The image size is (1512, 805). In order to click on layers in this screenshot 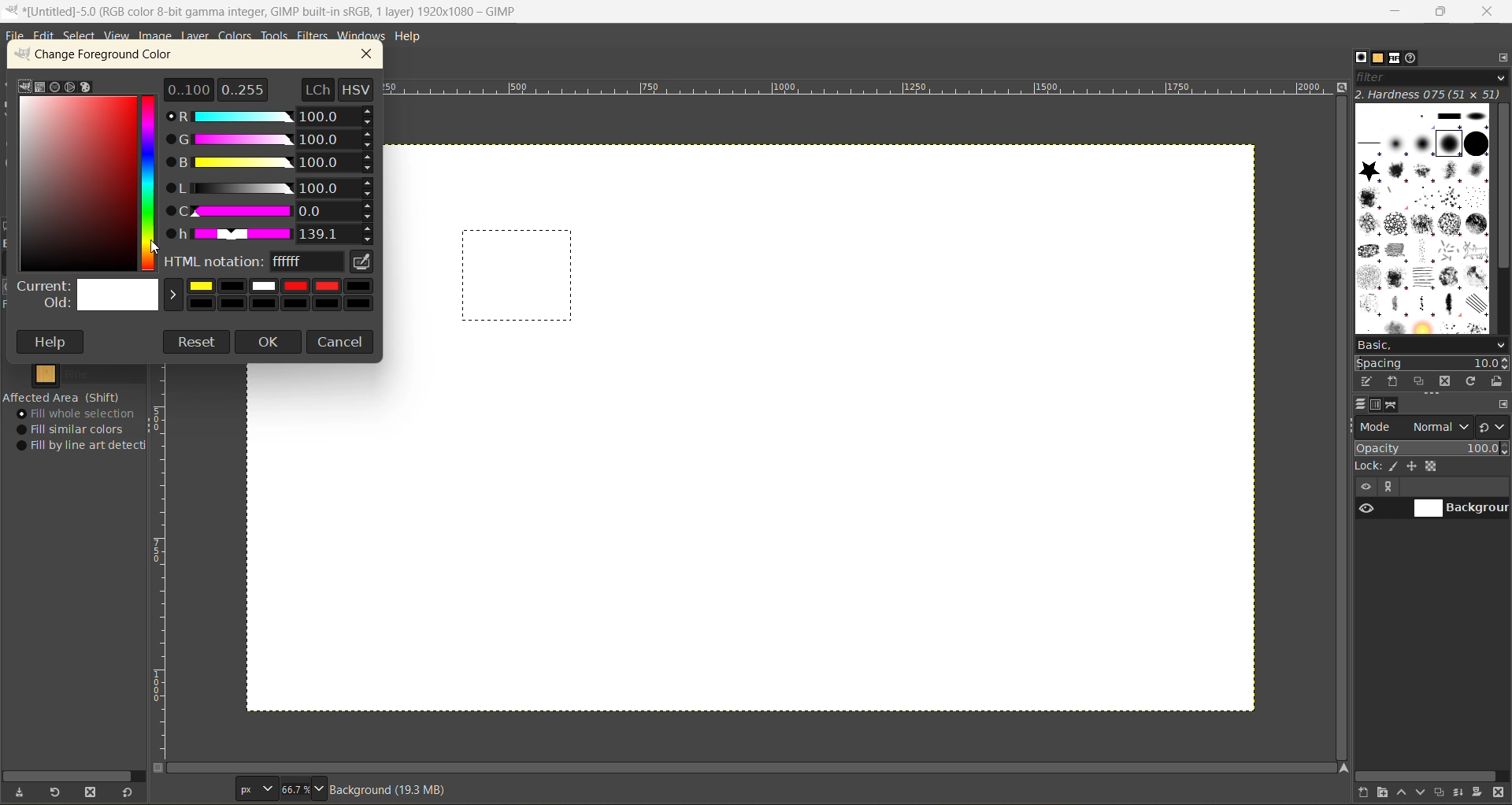, I will do `click(1363, 406)`.